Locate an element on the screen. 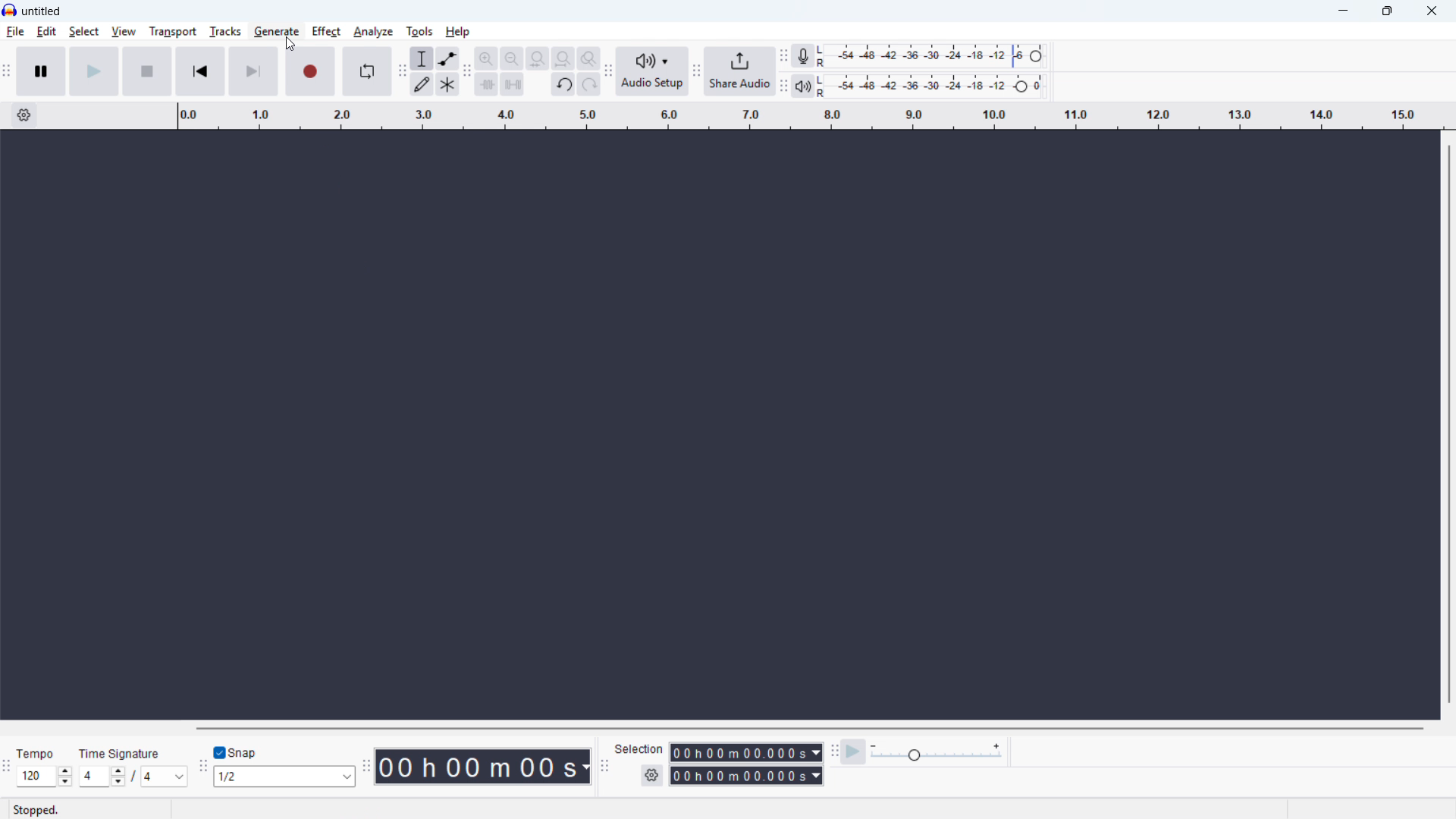 The height and width of the screenshot is (819, 1456). Zoom out  is located at coordinates (512, 58).